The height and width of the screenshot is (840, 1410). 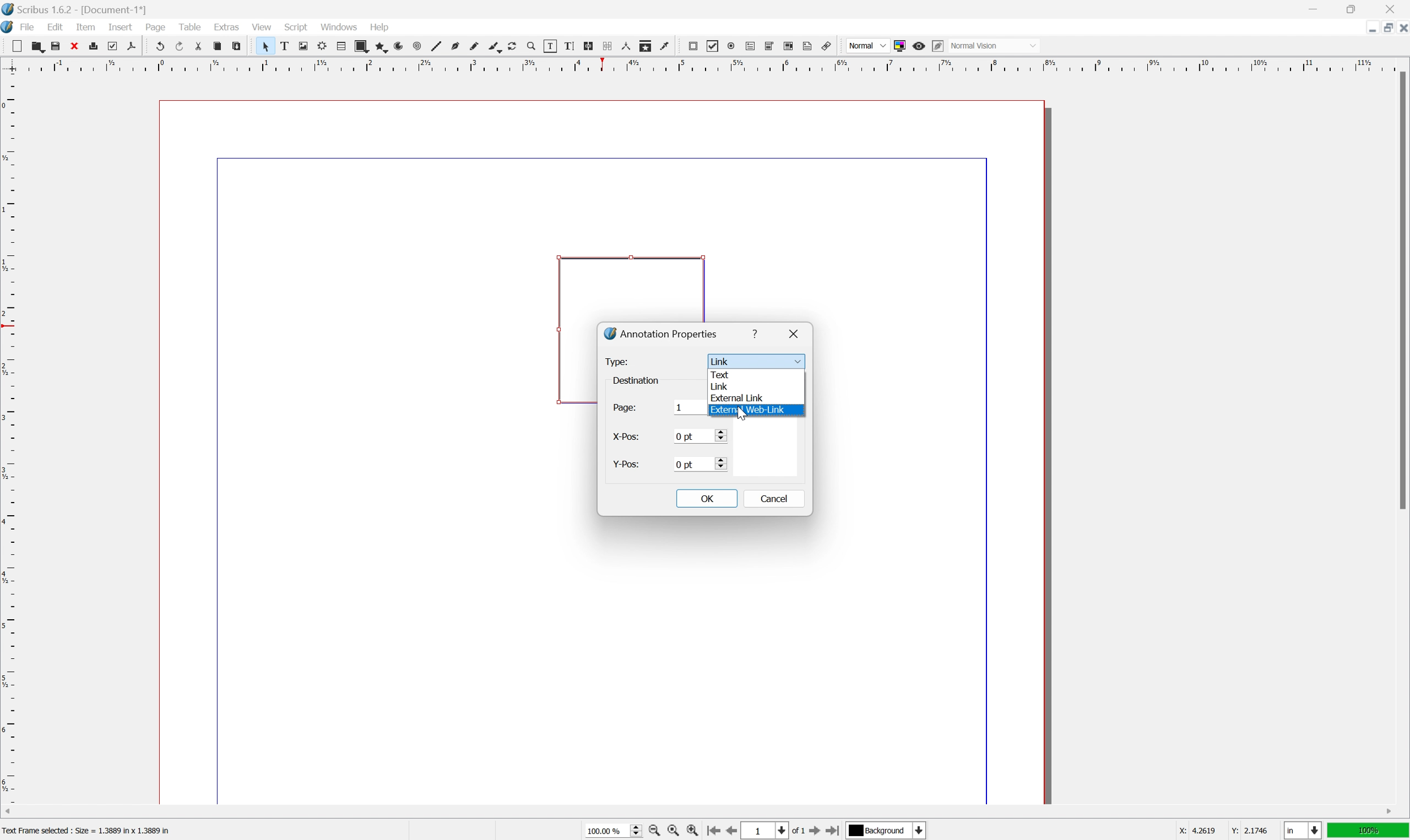 What do you see at coordinates (835, 830) in the screenshot?
I see `go to last page` at bounding box center [835, 830].